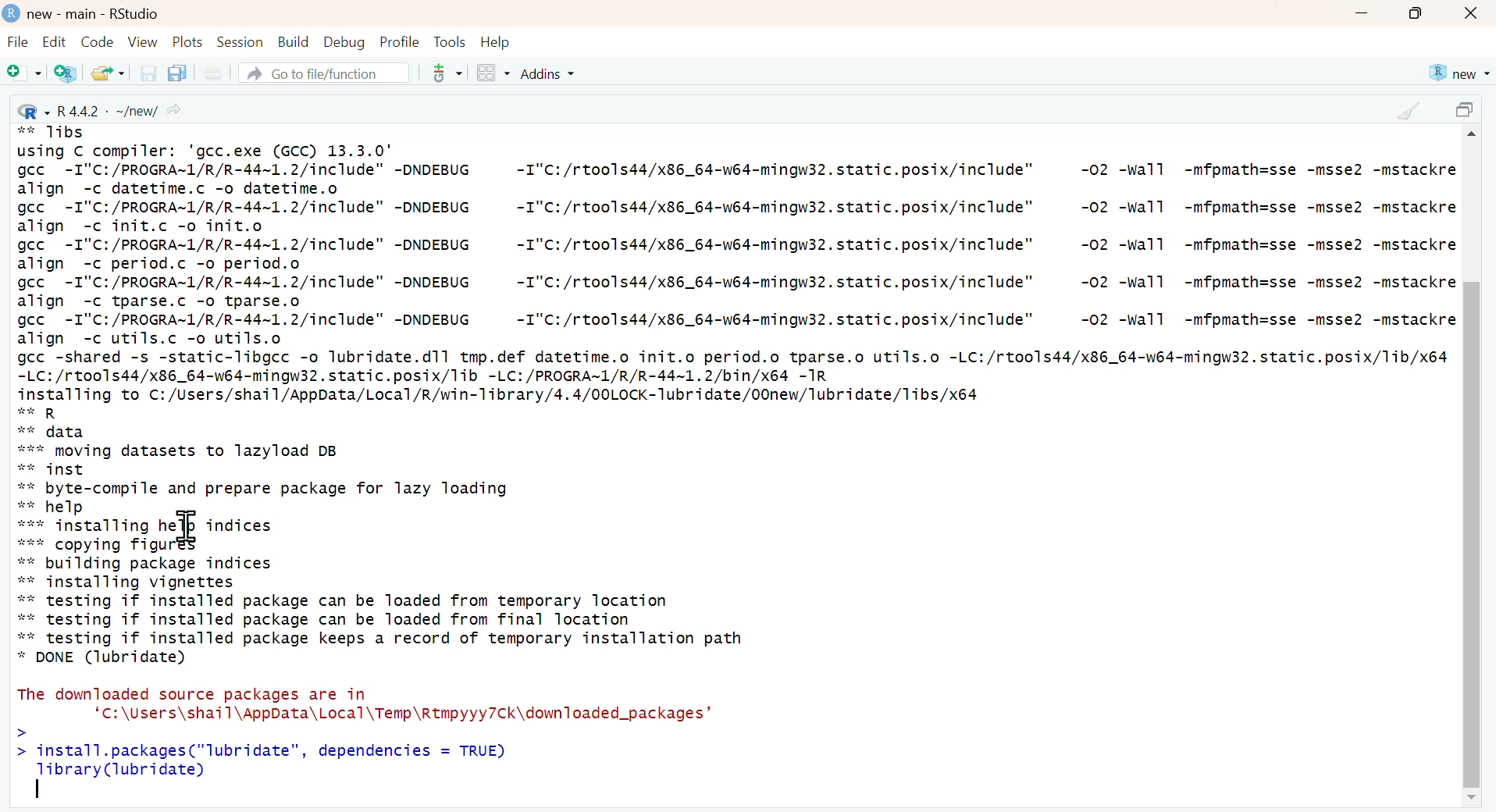 The width and height of the screenshot is (1496, 812). What do you see at coordinates (322, 73) in the screenshot?
I see `Go to file/function` at bounding box center [322, 73].